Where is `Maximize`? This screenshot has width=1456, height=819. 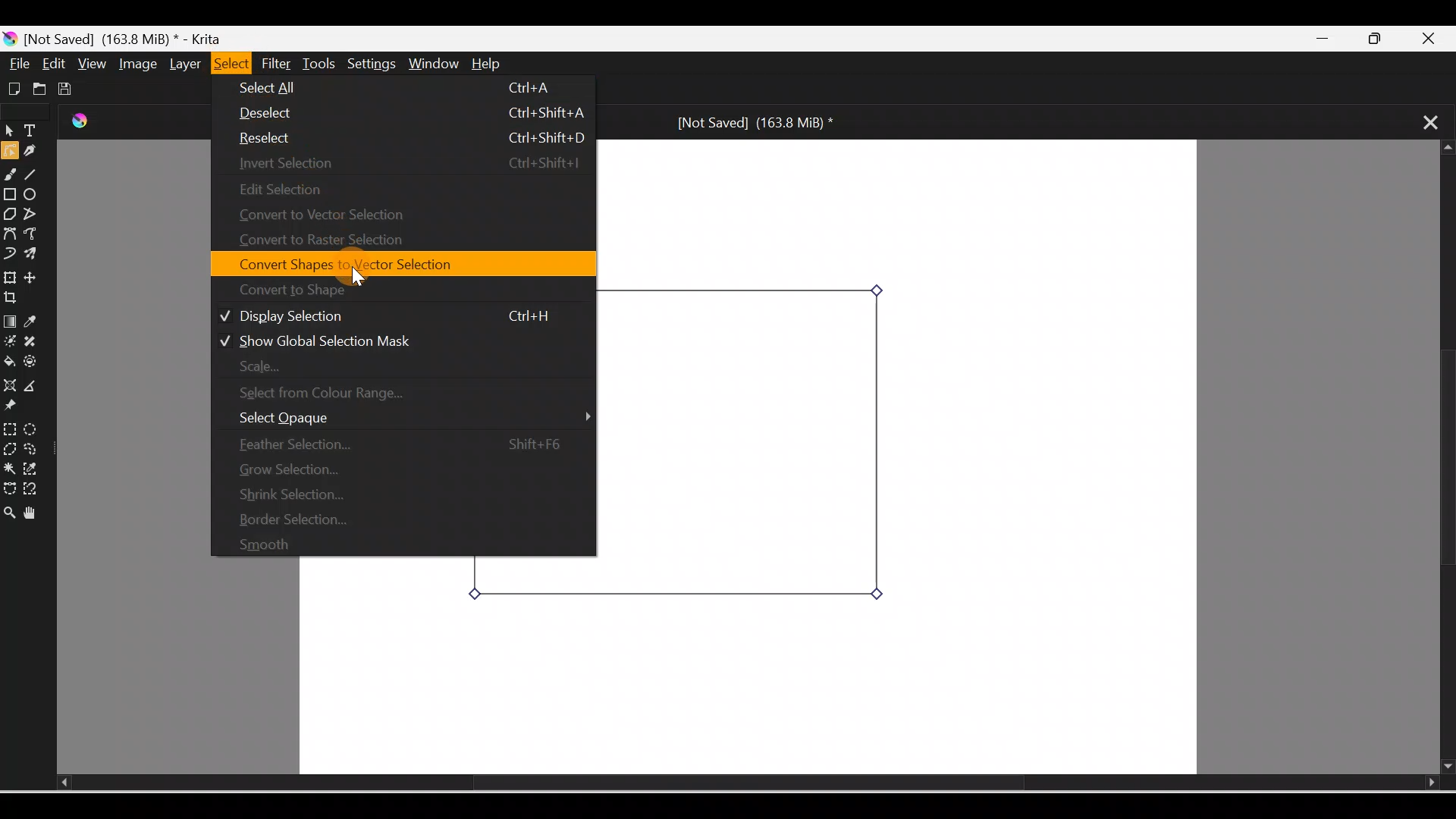 Maximize is located at coordinates (1384, 39).